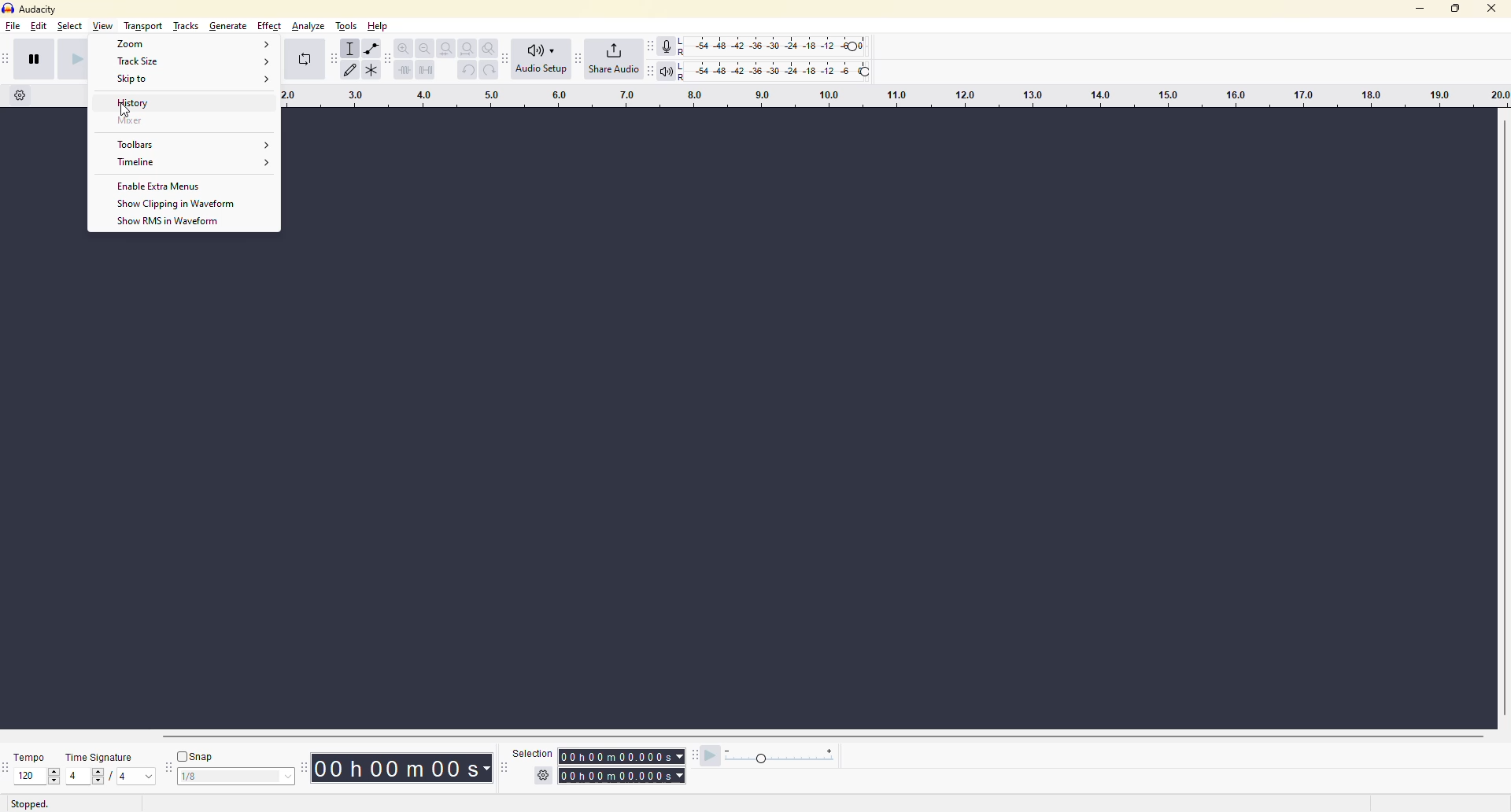 This screenshot has width=1511, height=812. What do you see at coordinates (546, 58) in the screenshot?
I see `audio setup` at bounding box center [546, 58].